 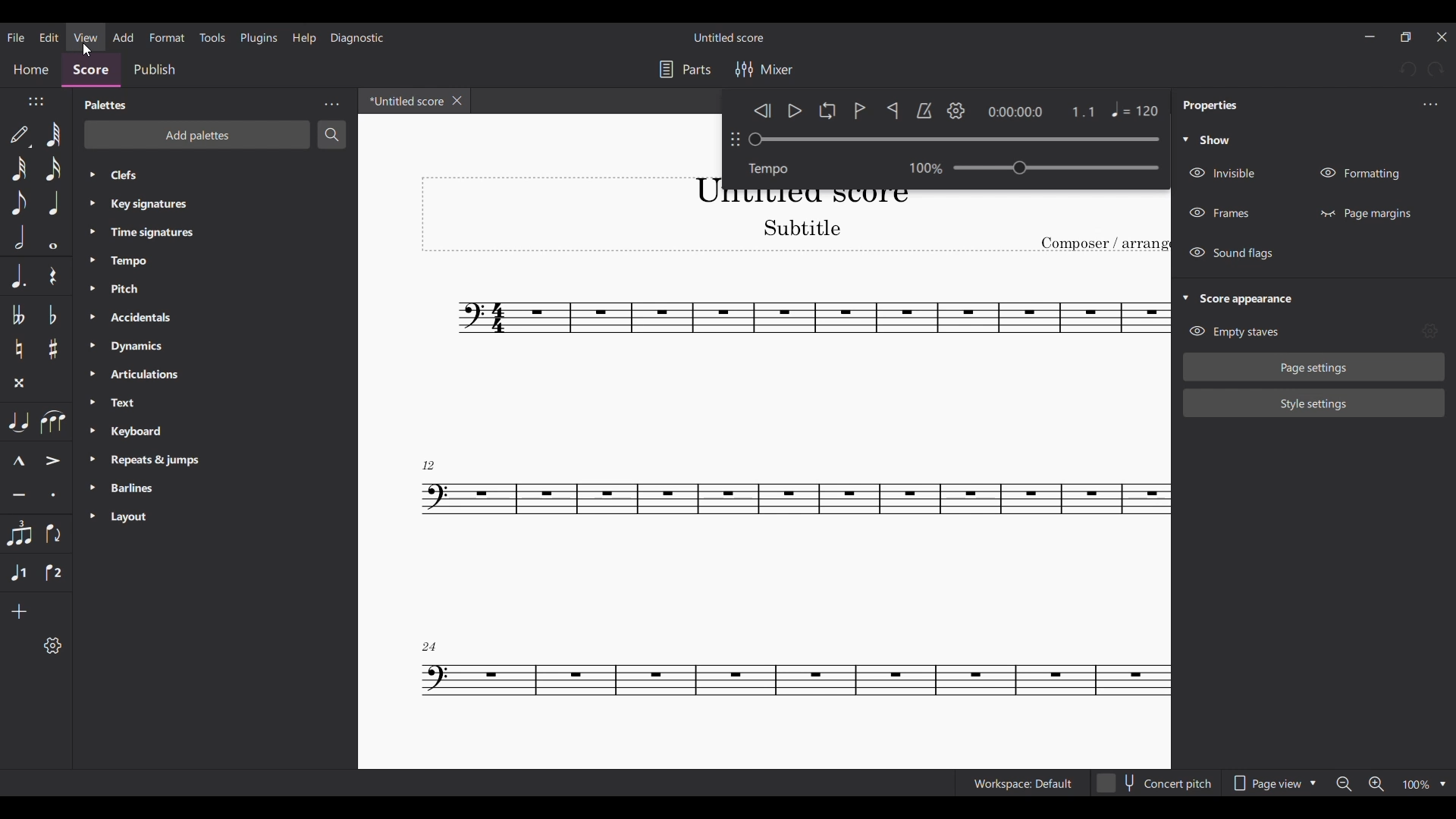 What do you see at coordinates (198, 317) in the screenshot?
I see `Accidentals` at bounding box center [198, 317].